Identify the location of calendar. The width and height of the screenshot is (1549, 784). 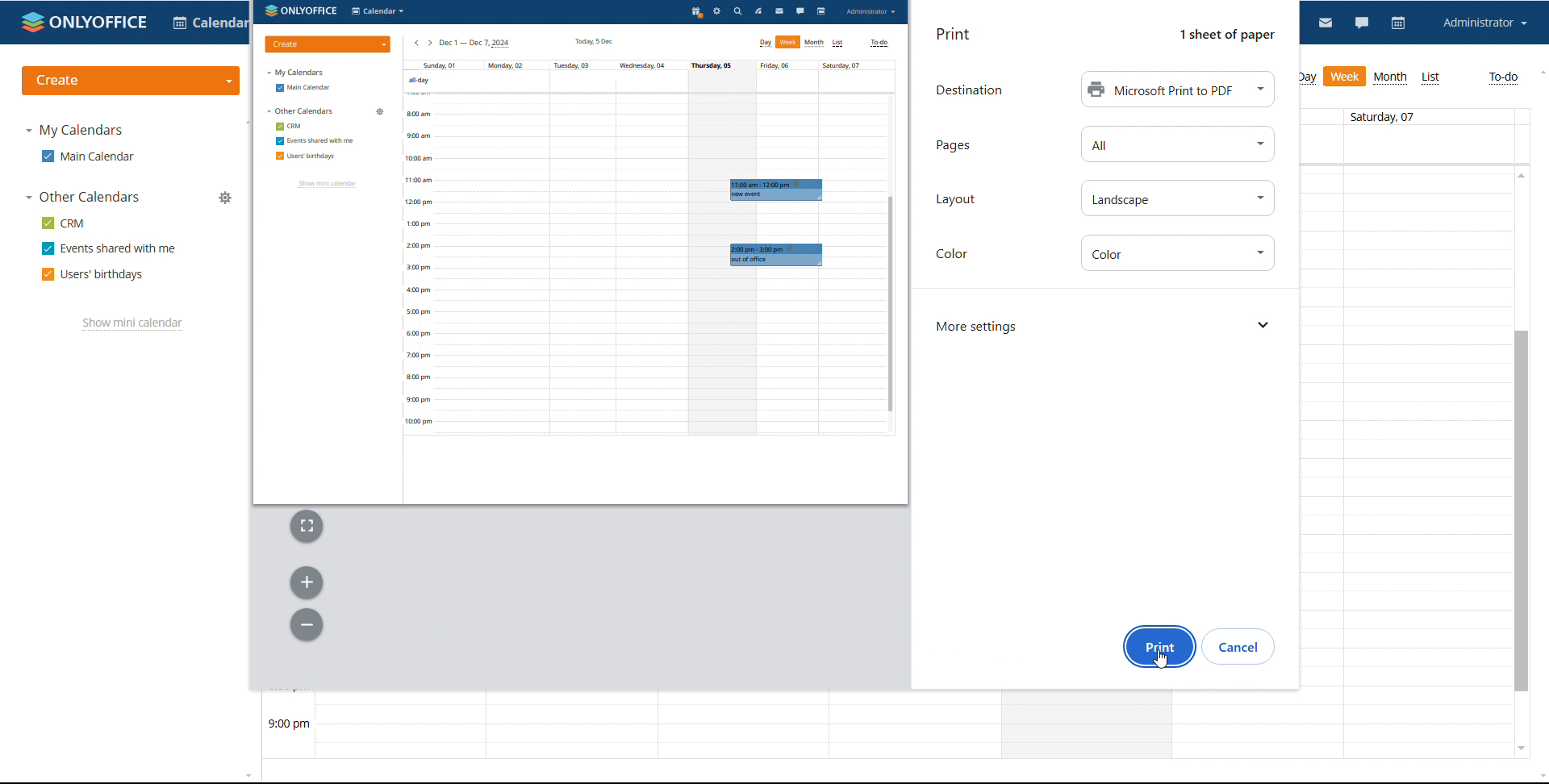
(1401, 24).